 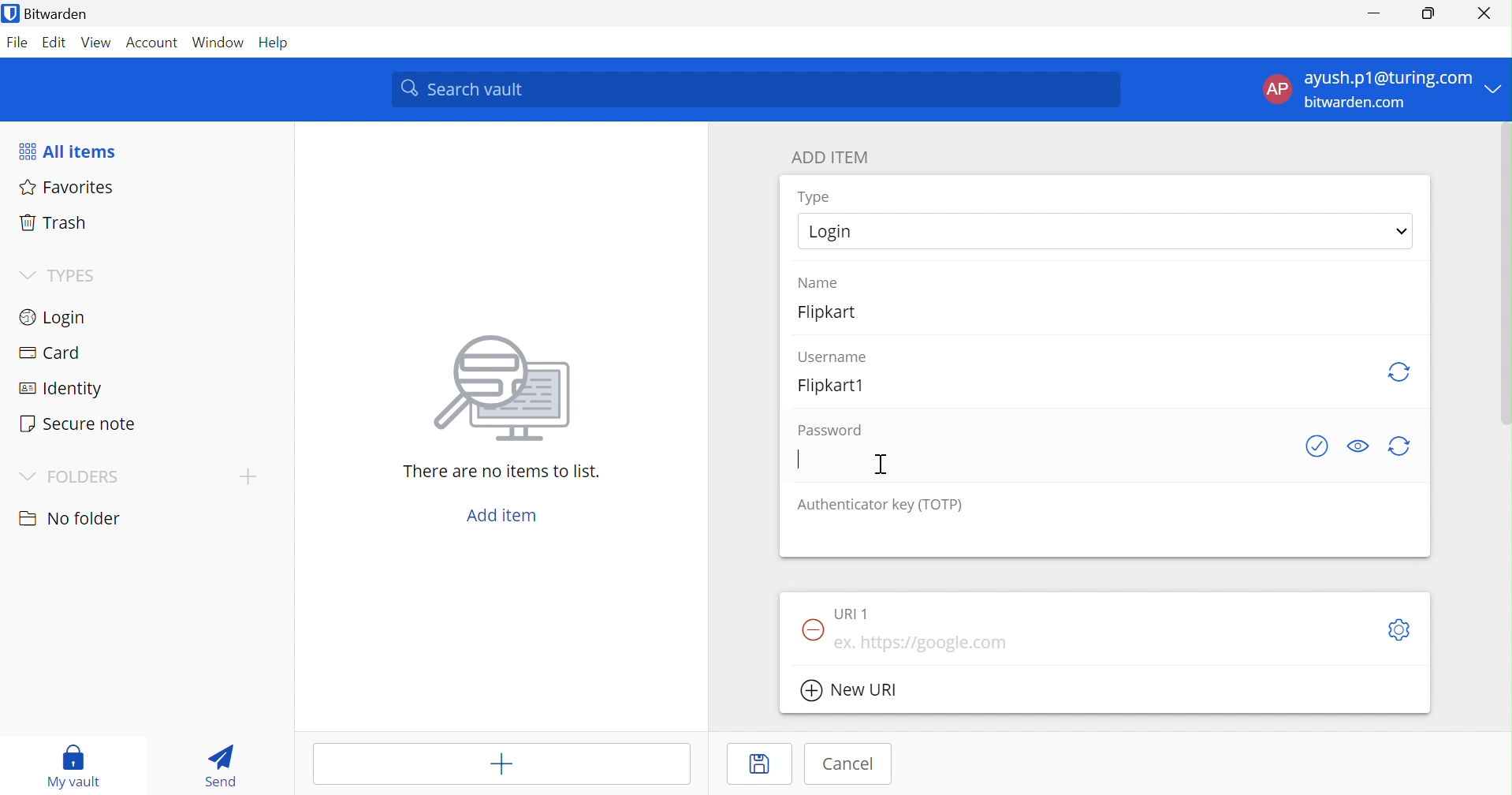 I want to click on Cancel, so click(x=849, y=763).